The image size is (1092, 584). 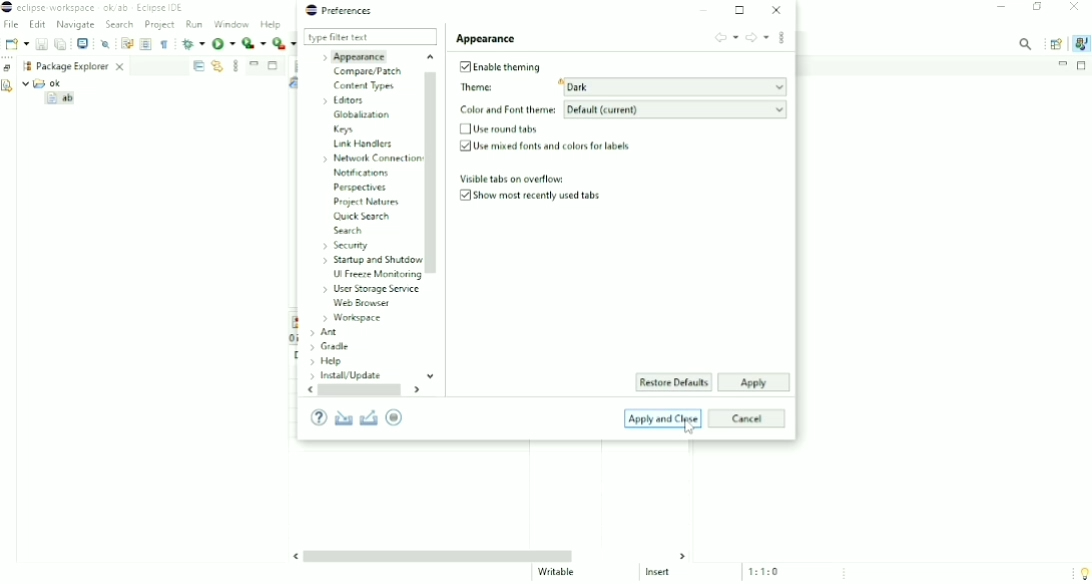 I want to click on Window, so click(x=232, y=24).